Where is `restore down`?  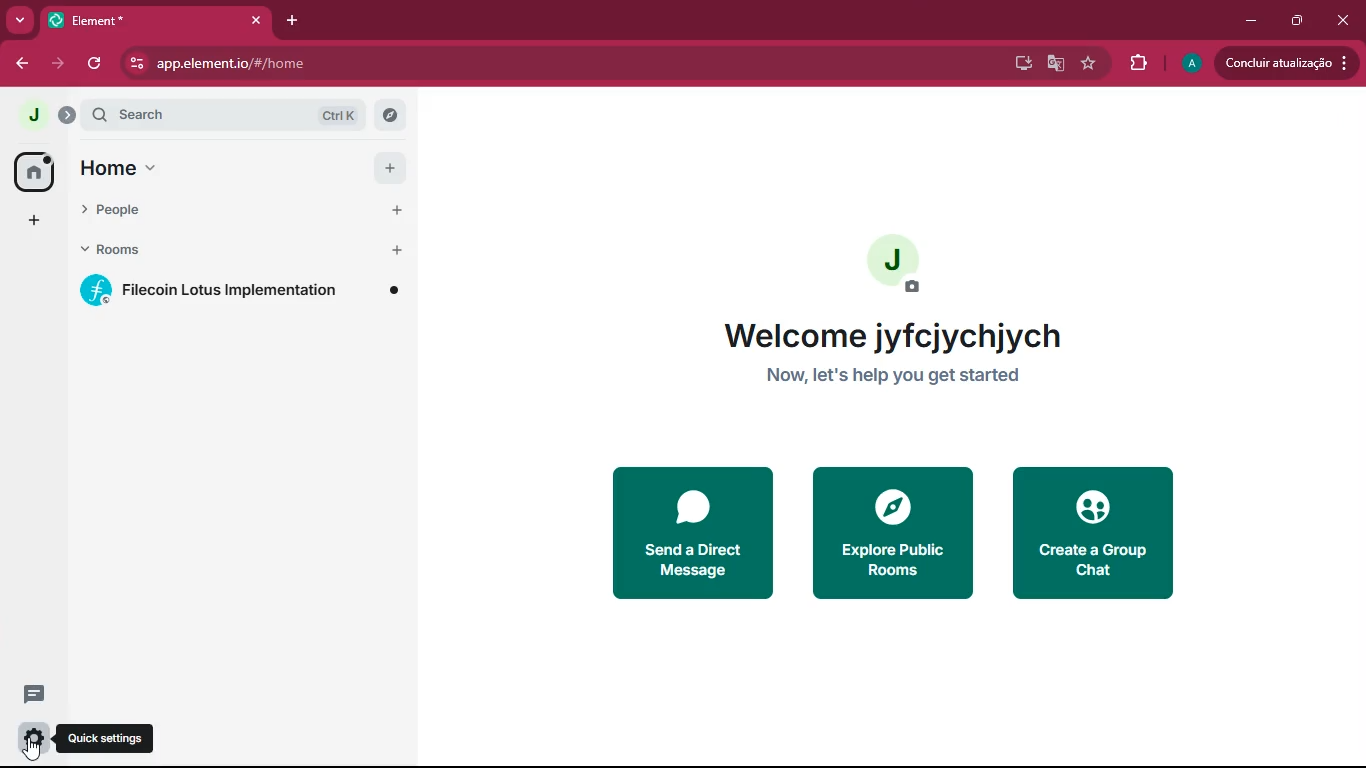 restore down is located at coordinates (1294, 21).